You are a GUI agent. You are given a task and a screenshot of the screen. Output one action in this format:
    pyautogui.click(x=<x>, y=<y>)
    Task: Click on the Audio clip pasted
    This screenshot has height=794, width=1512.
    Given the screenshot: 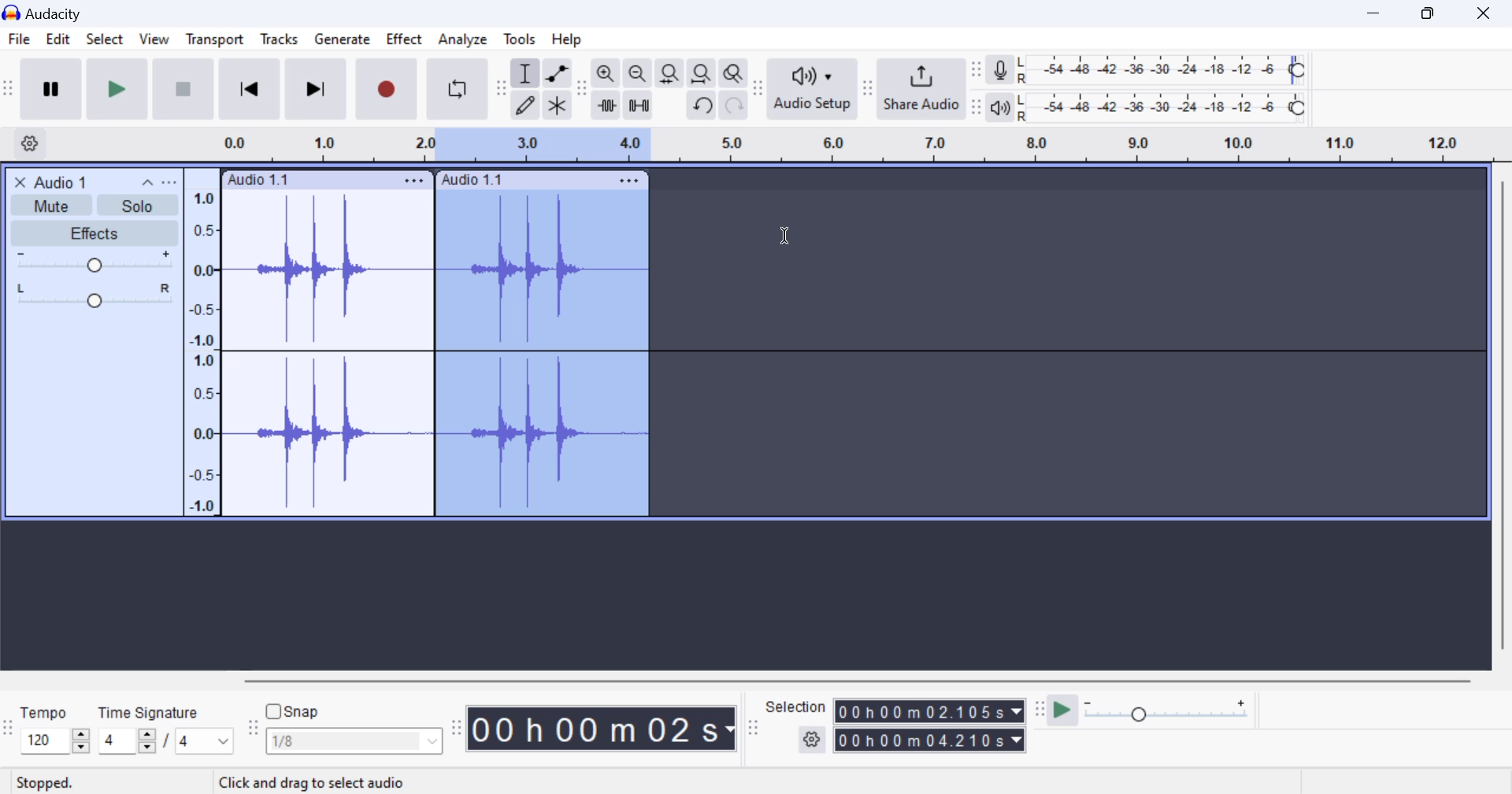 What is the action you would take?
    pyautogui.click(x=547, y=354)
    